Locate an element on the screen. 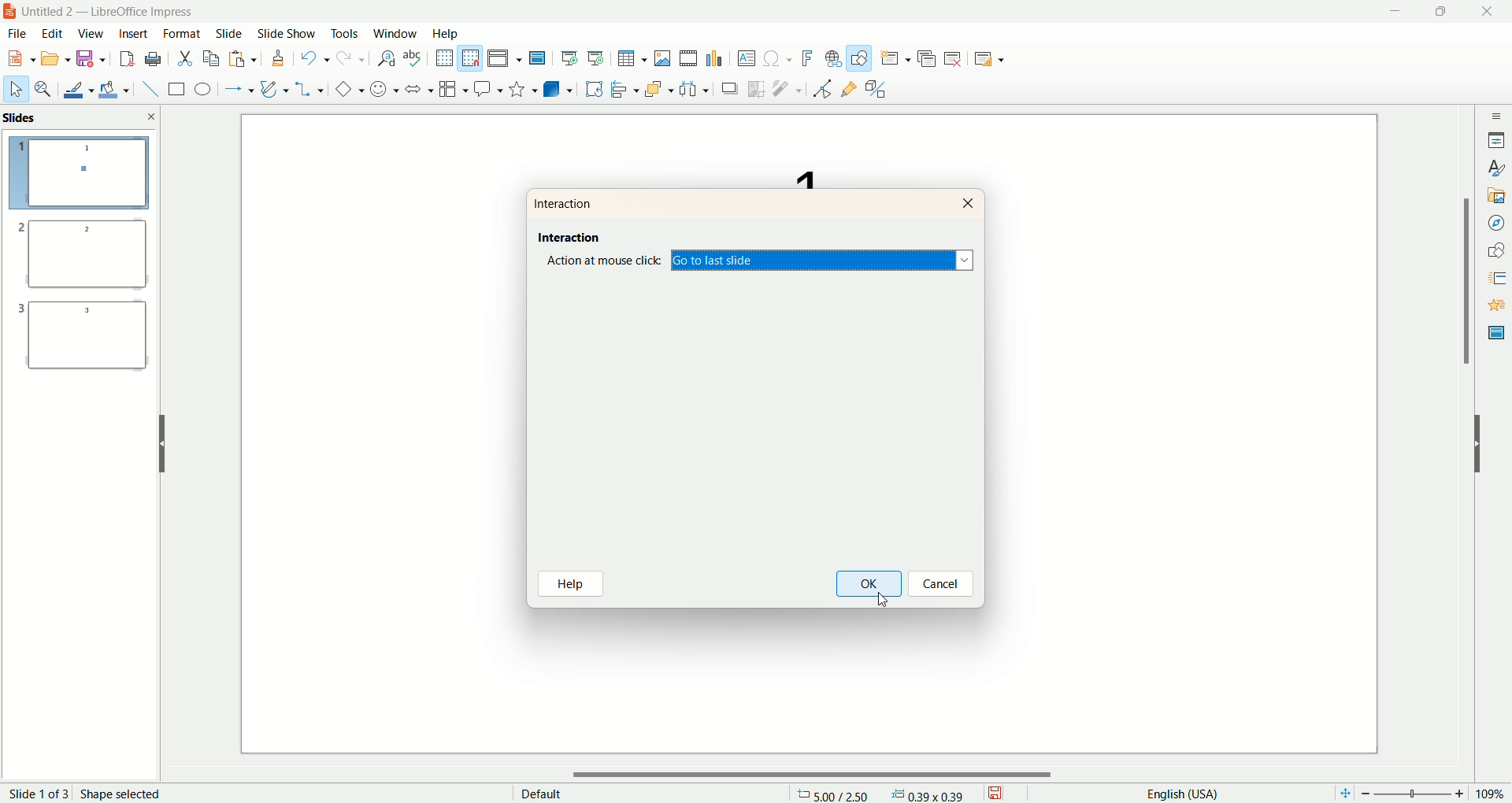 The width and height of the screenshot is (1512, 803). dropdown is located at coordinates (966, 261).